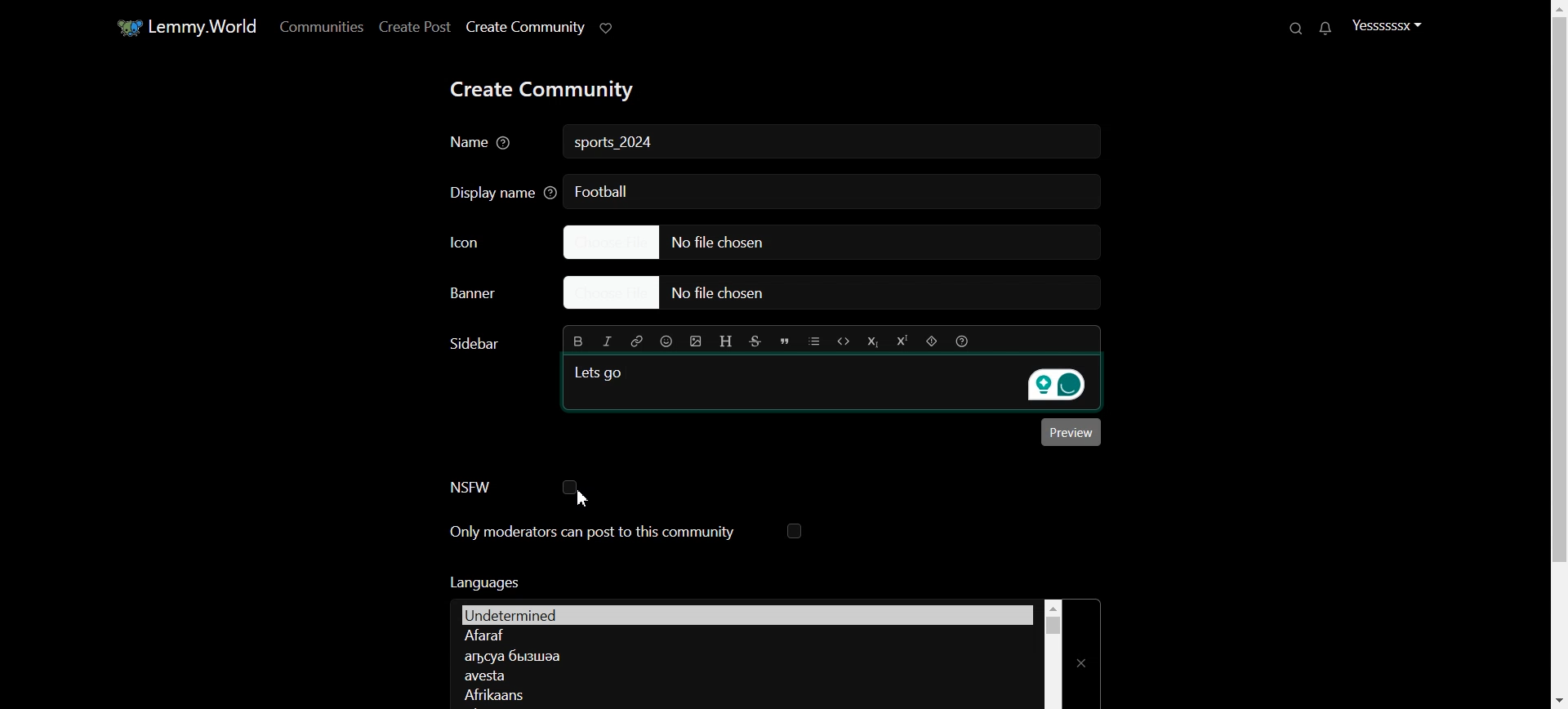  Describe the element at coordinates (871, 341) in the screenshot. I see `Subscript` at that location.